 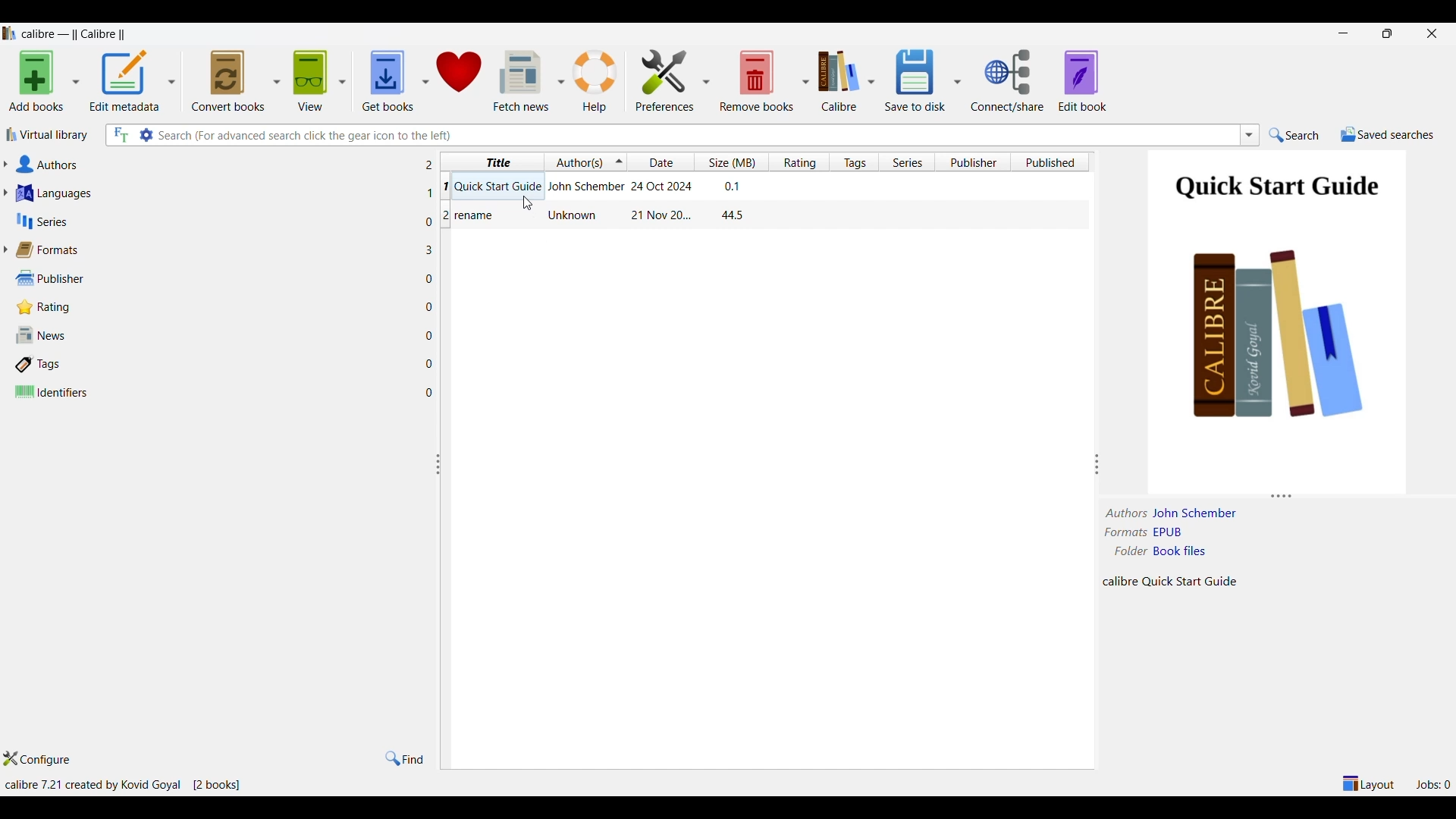 What do you see at coordinates (705, 80) in the screenshot?
I see `Preference options` at bounding box center [705, 80].